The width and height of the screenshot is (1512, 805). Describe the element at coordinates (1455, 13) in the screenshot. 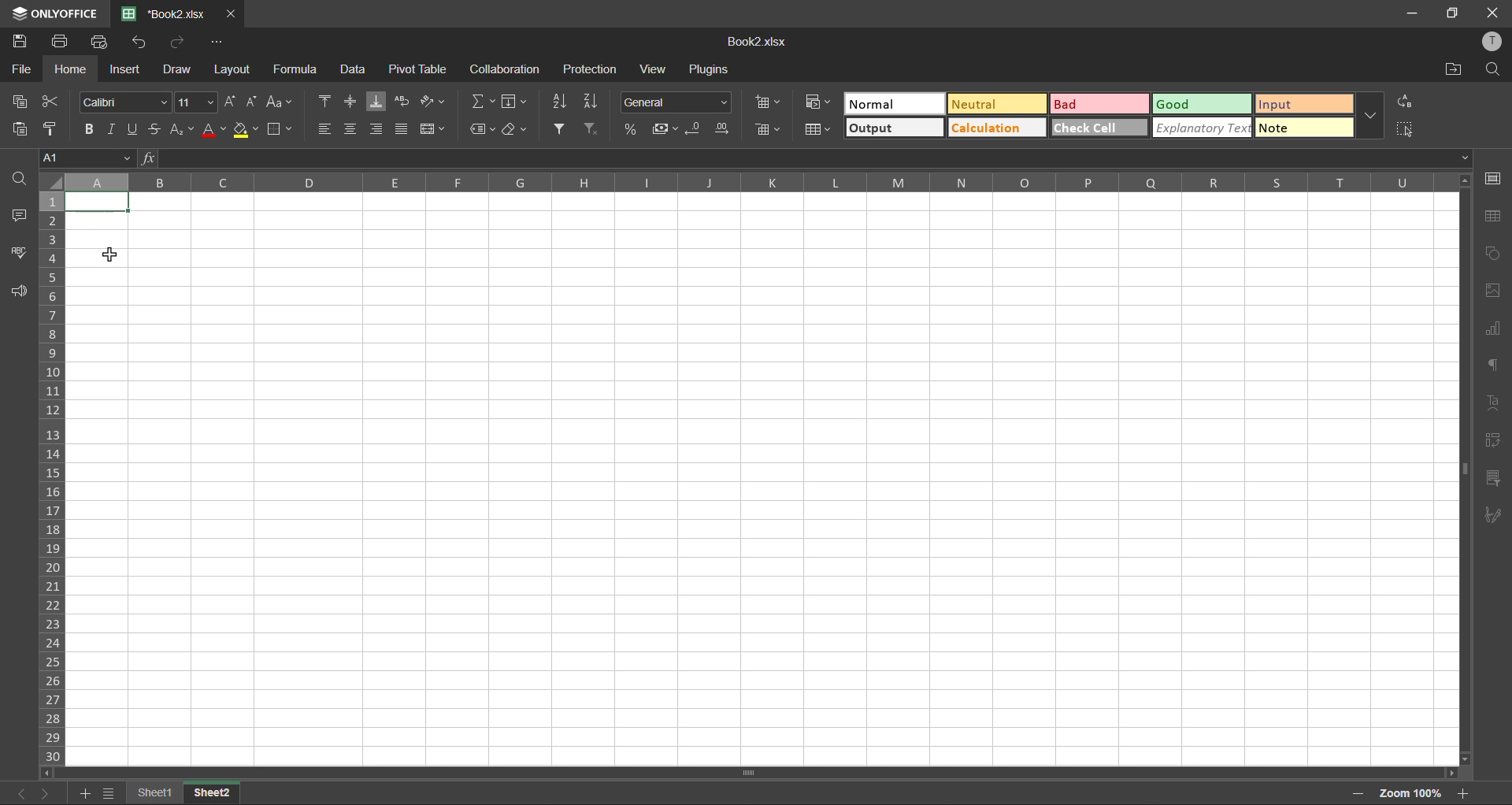

I see `maximize` at that location.